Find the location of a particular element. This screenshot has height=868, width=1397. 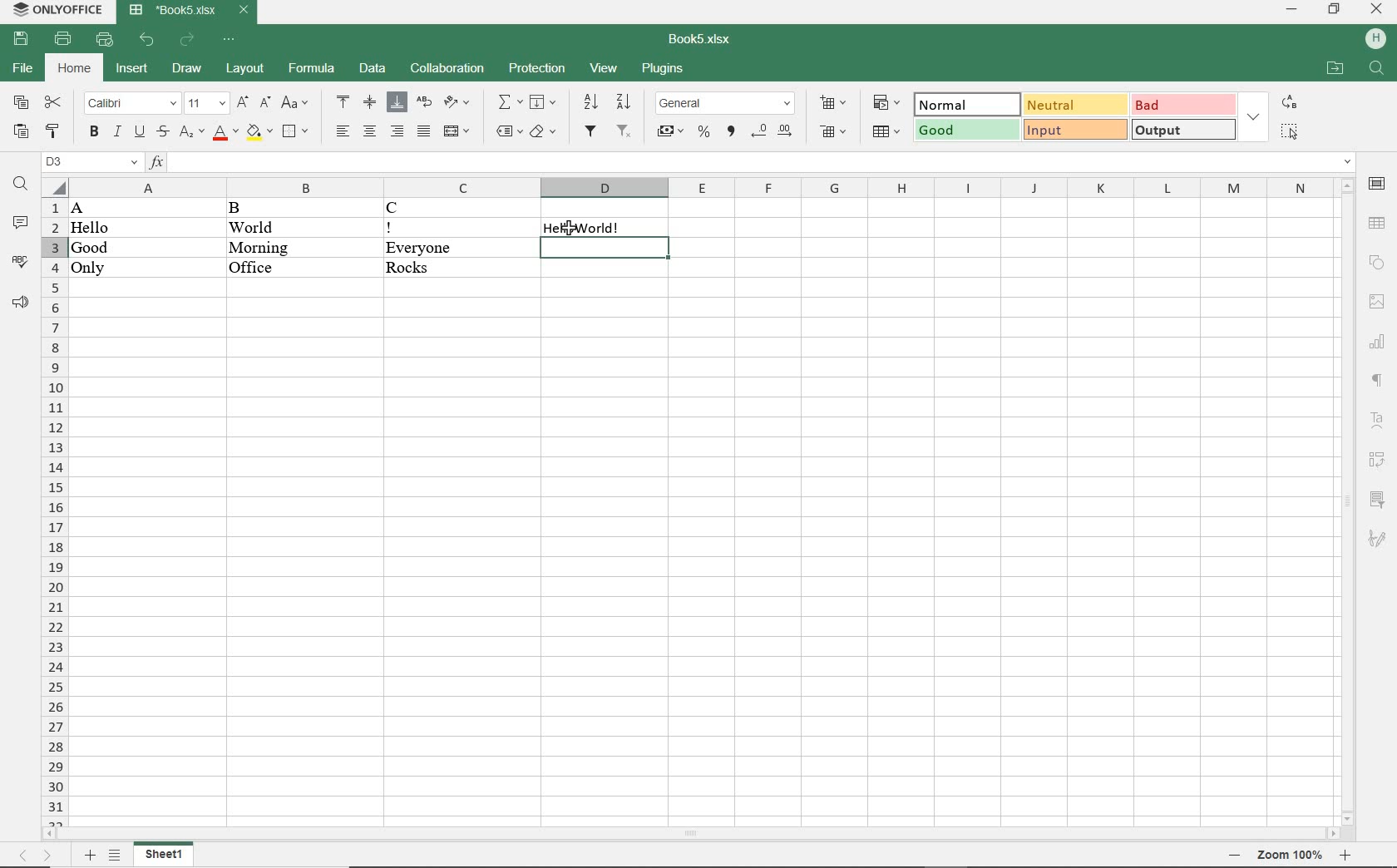

UNDO is located at coordinates (146, 39).